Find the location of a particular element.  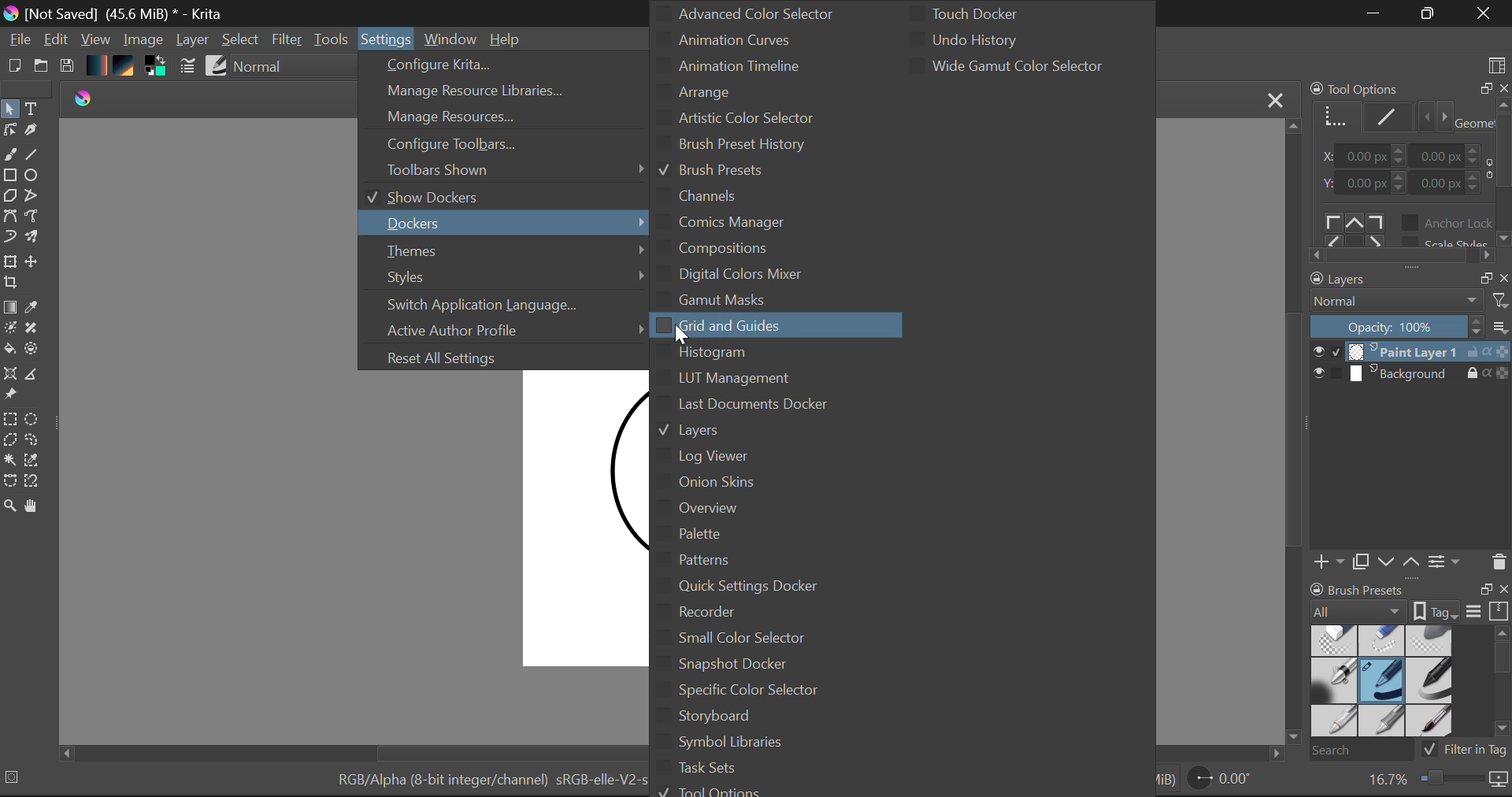

Calligraphic Tool is located at coordinates (36, 132).